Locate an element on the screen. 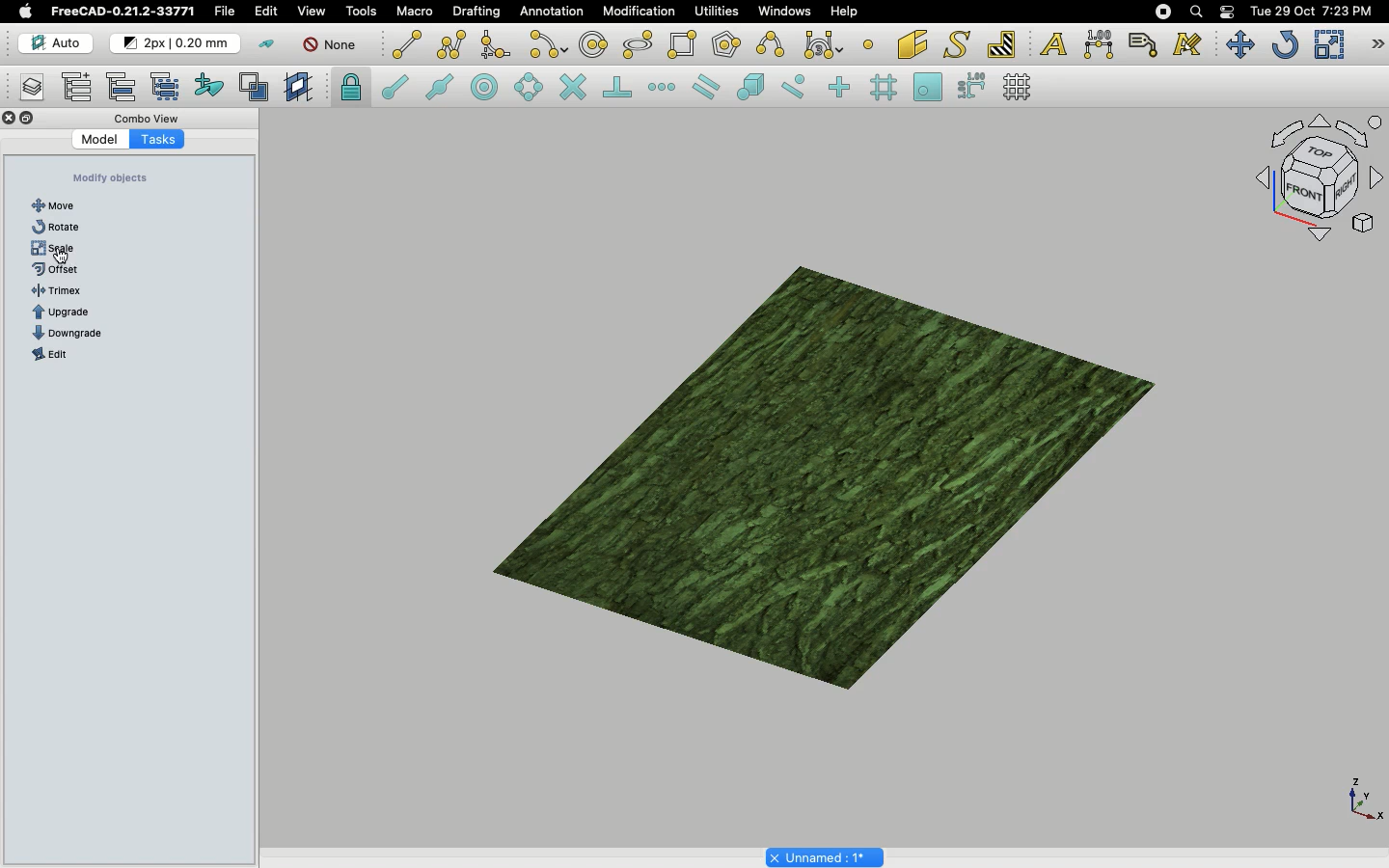 The height and width of the screenshot is (868, 1389). Move is located at coordinates (1239, 45).